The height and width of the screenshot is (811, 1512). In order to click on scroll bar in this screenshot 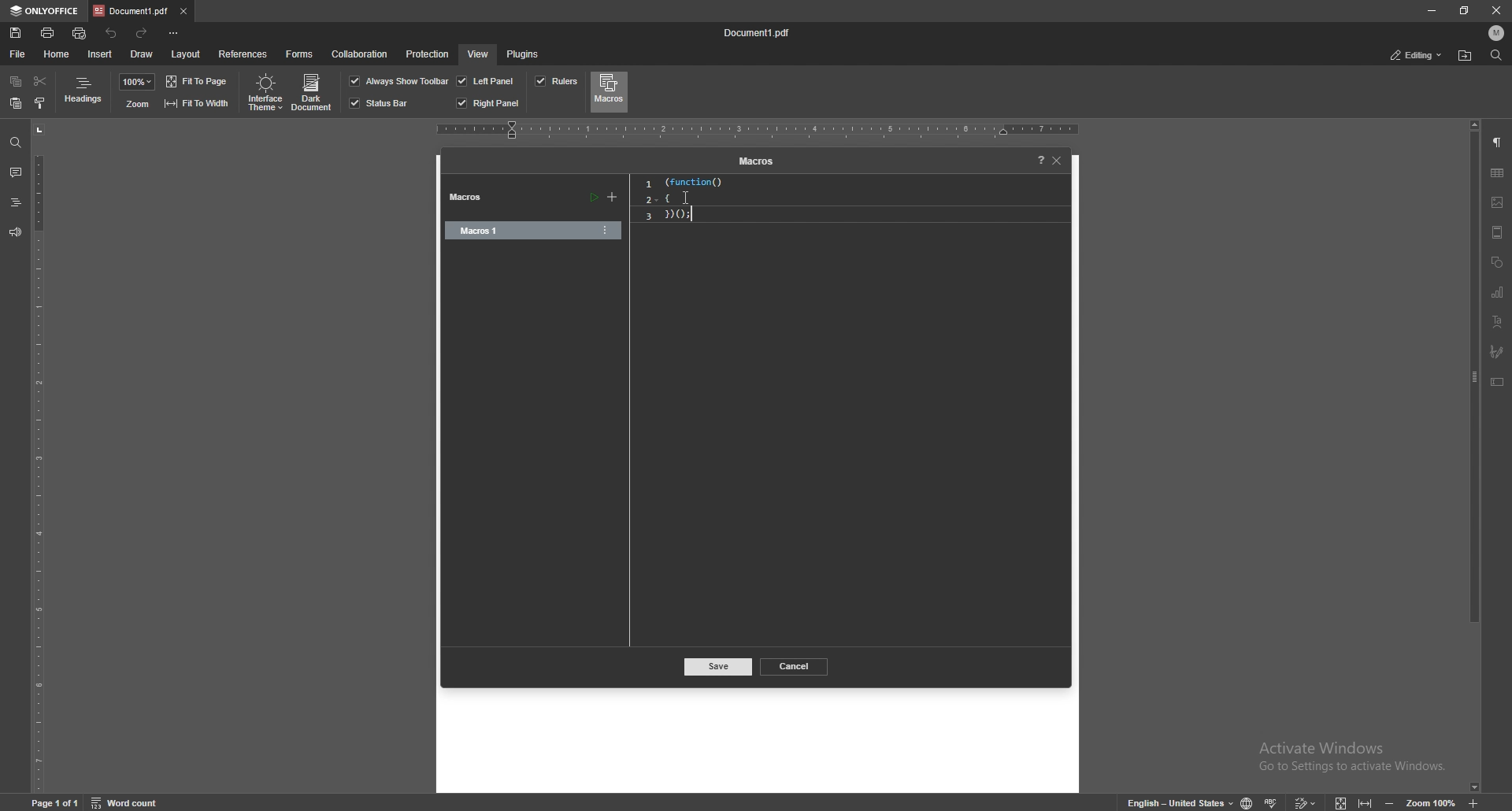, I will do `click(1475, 455)`.